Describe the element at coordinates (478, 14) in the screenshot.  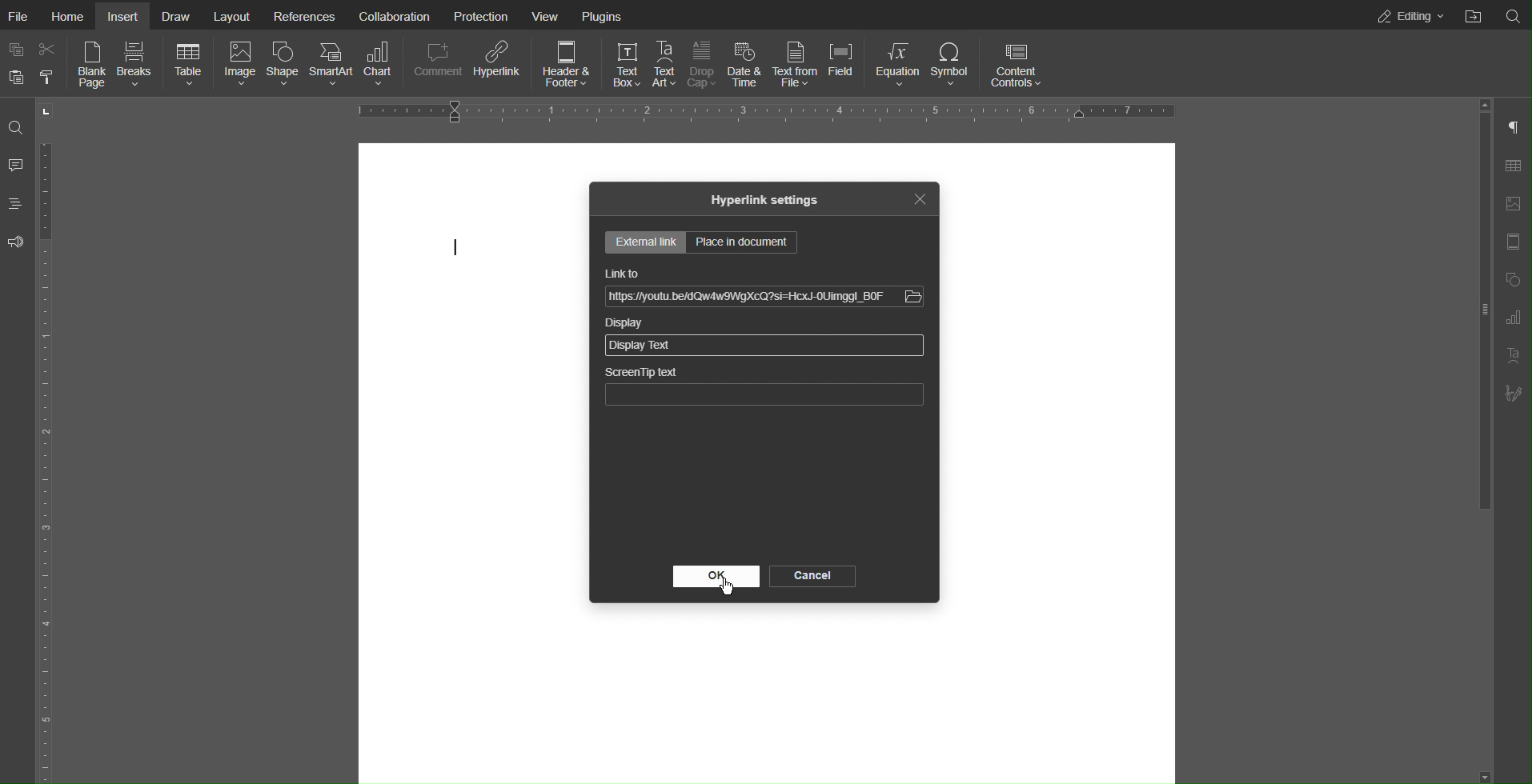
I see `Protection` at that location.